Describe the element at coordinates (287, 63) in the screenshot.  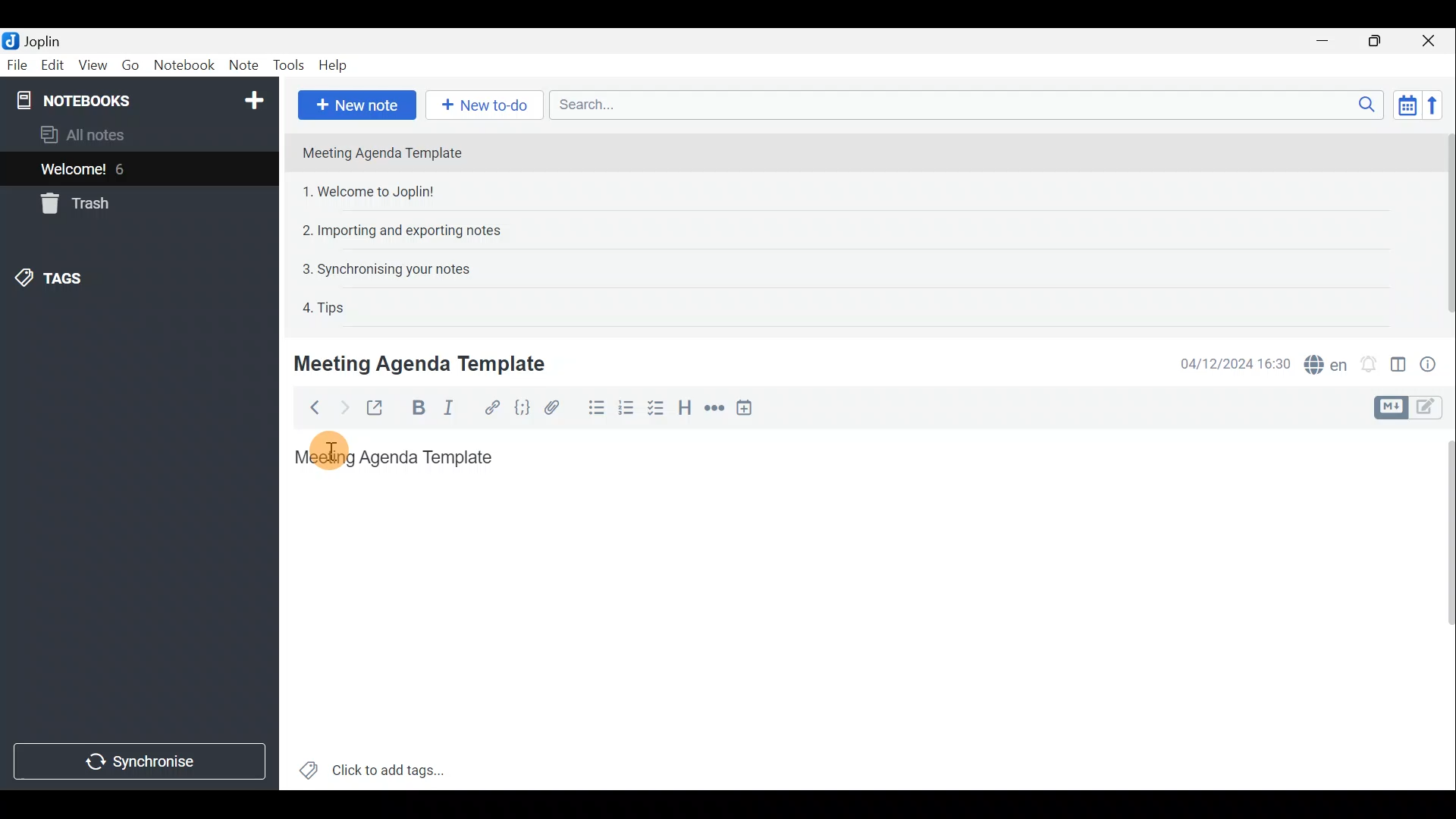
I see `Tools` at that location.